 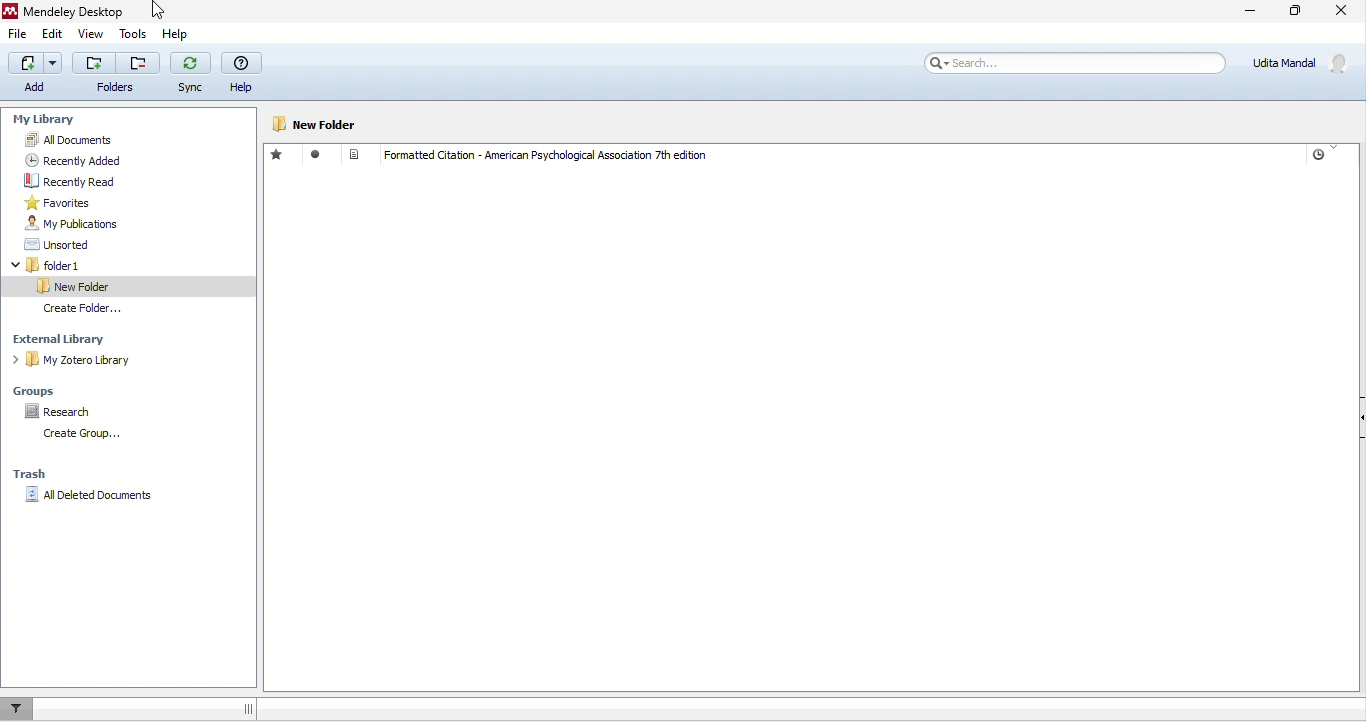 I want to click on help, so click(x=242, y=73).